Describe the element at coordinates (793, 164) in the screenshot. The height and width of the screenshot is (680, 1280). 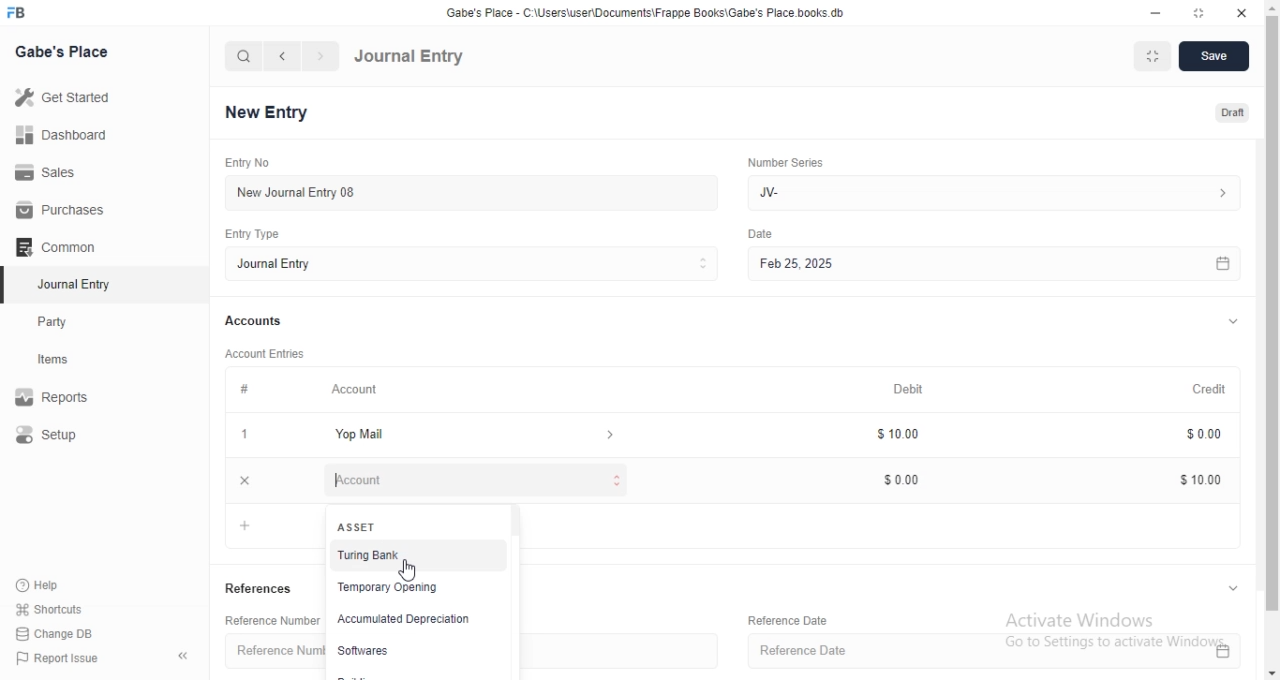
I see `Number Series` at that location.